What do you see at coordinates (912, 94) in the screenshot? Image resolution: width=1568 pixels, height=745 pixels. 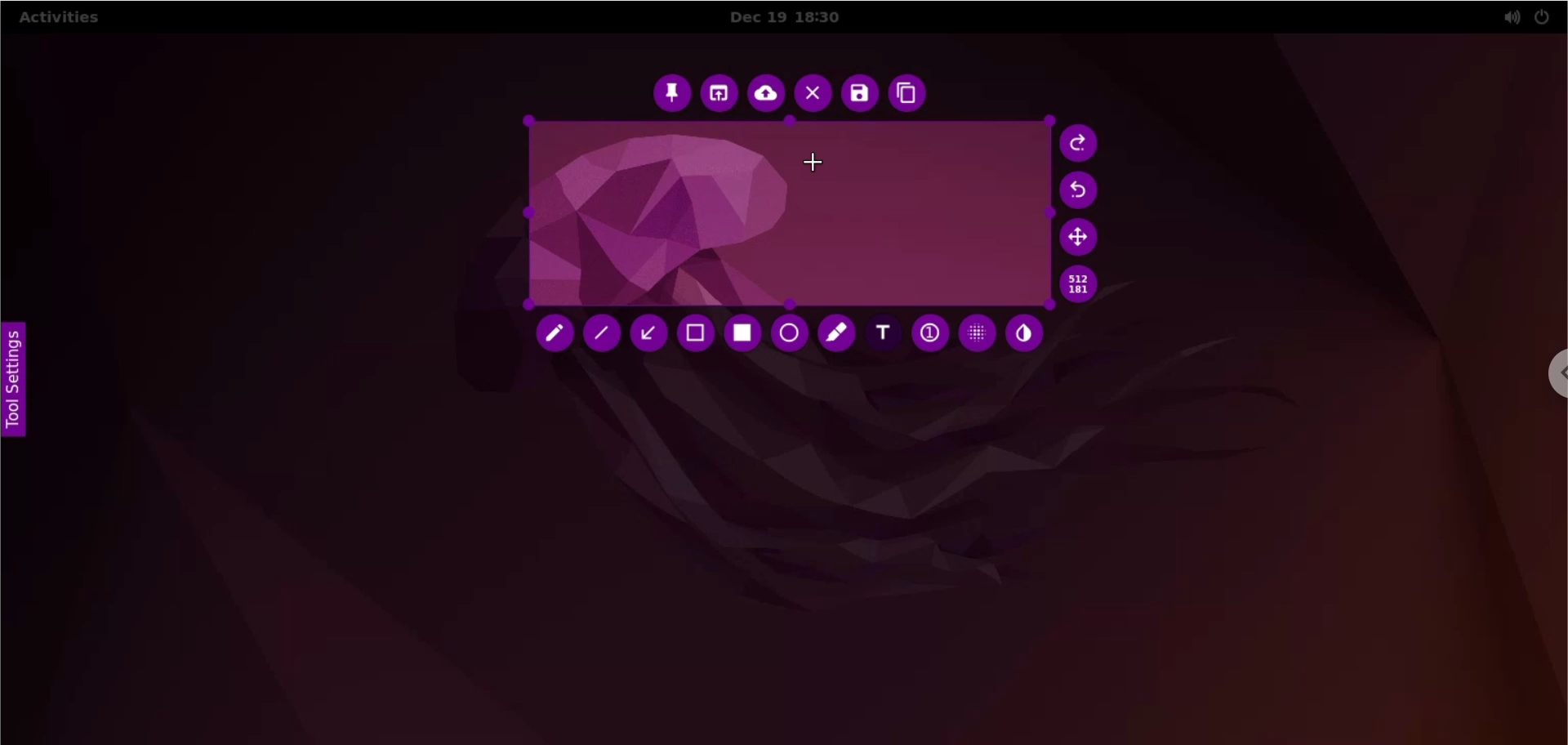 I see `copy to clipboard` at bounding box center [912, 94].